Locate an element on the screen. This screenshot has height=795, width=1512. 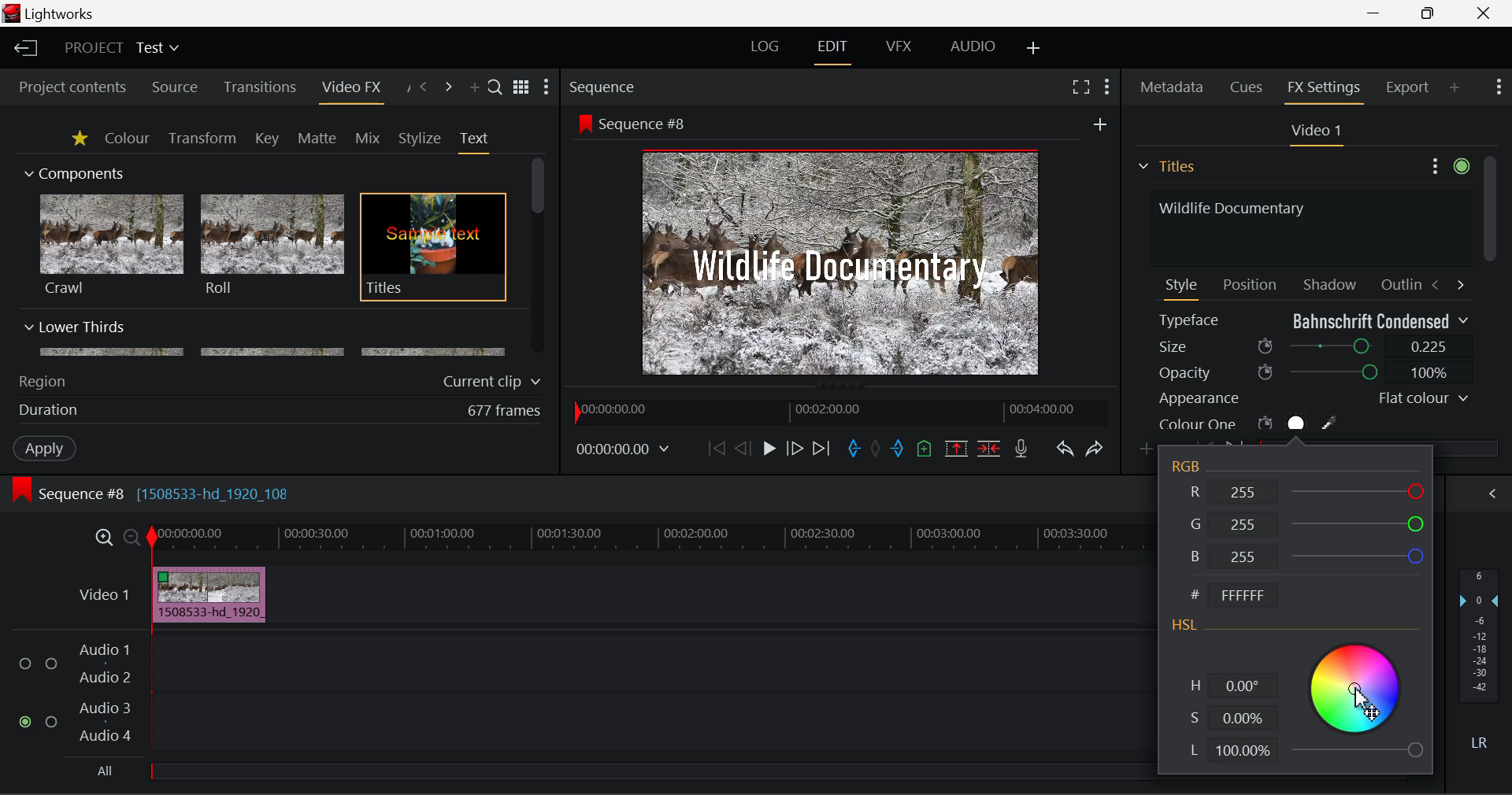
Project contents is located at coordinates (65, 87).